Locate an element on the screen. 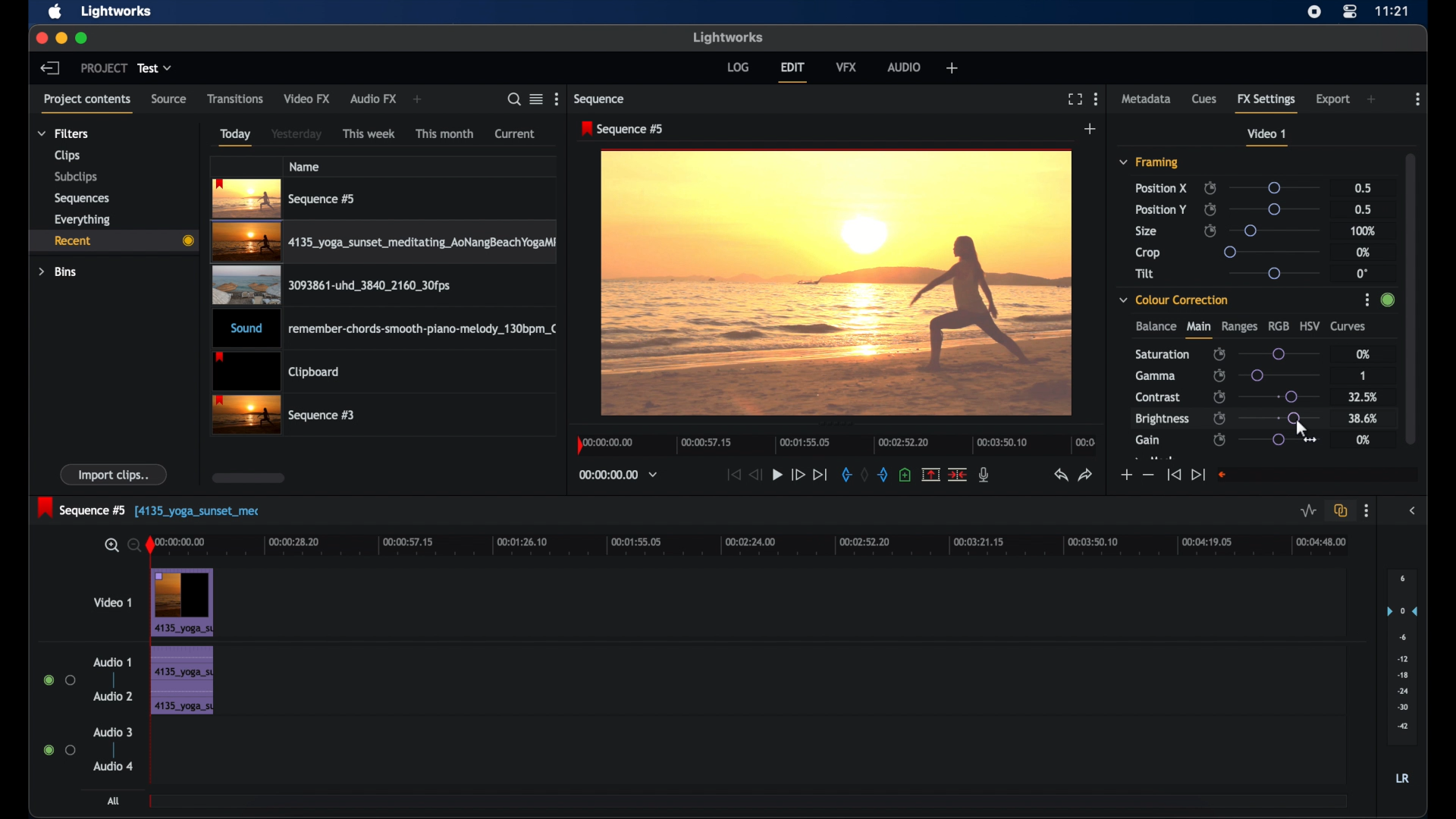  sequence is located at coordinates (623, 129).